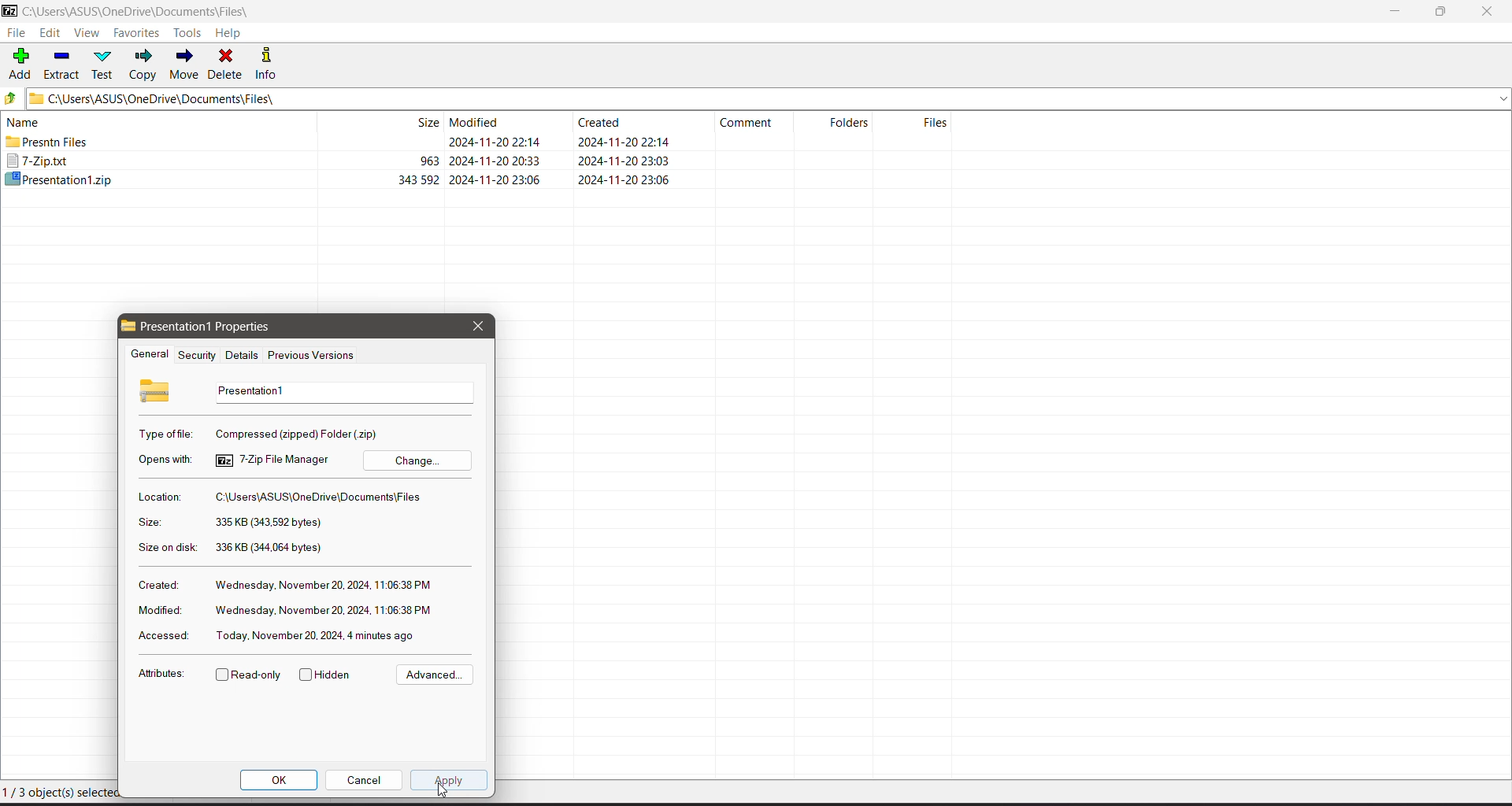 The image size is (1512, 806). Describe the element at coordinates (417, 460) in the screenshot. I see `Click to change the app to pen the selected file` at that location.